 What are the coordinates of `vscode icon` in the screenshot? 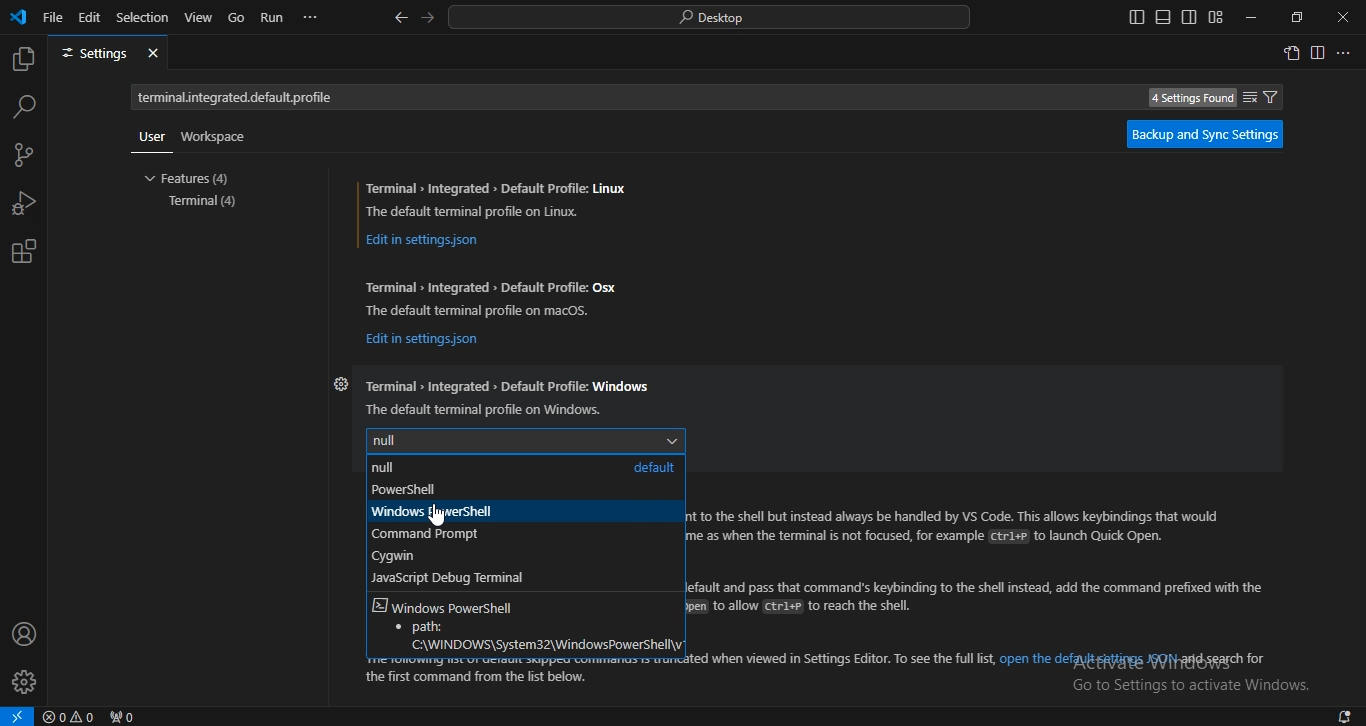 It's located at (18, 18).